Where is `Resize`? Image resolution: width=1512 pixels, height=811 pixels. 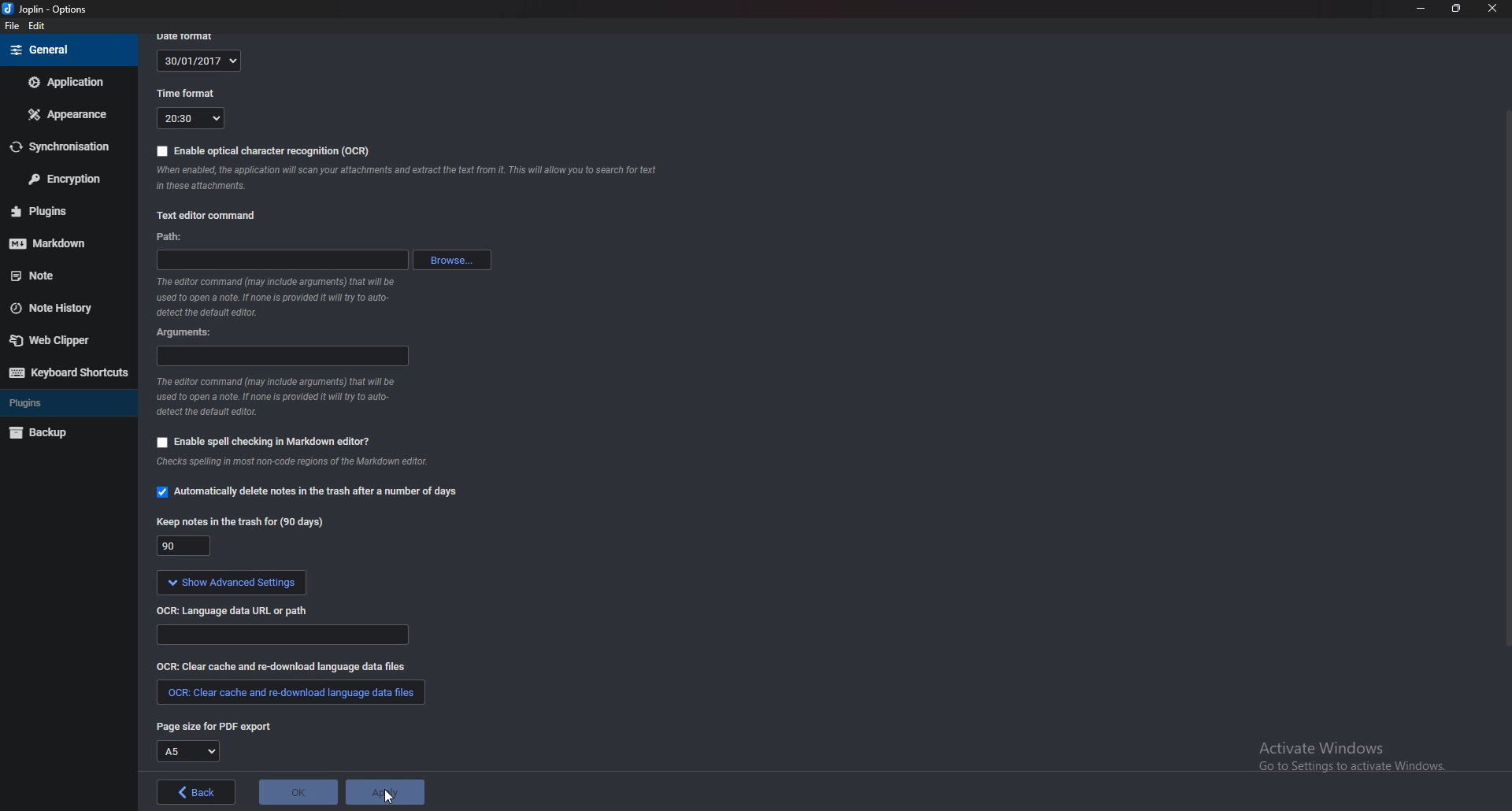 Resize is located at coordinates (1457, 9).